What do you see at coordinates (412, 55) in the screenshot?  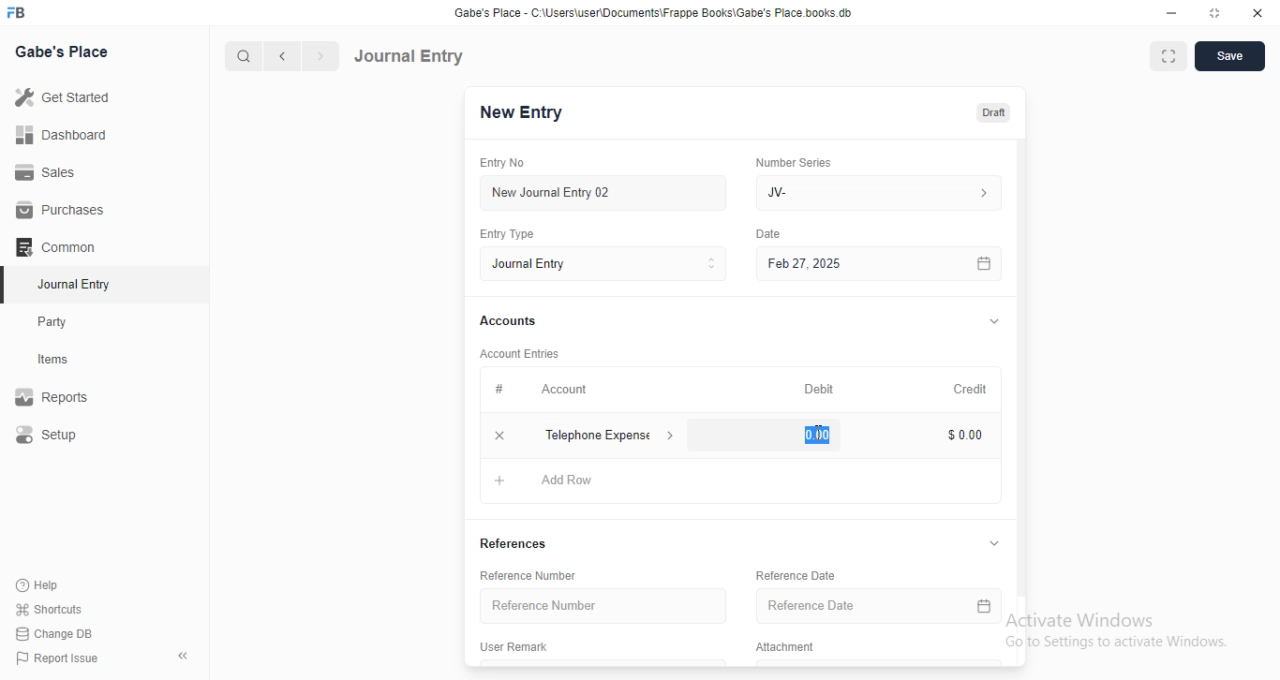 I see `Journal Entry` at bounding box center [412, 55].